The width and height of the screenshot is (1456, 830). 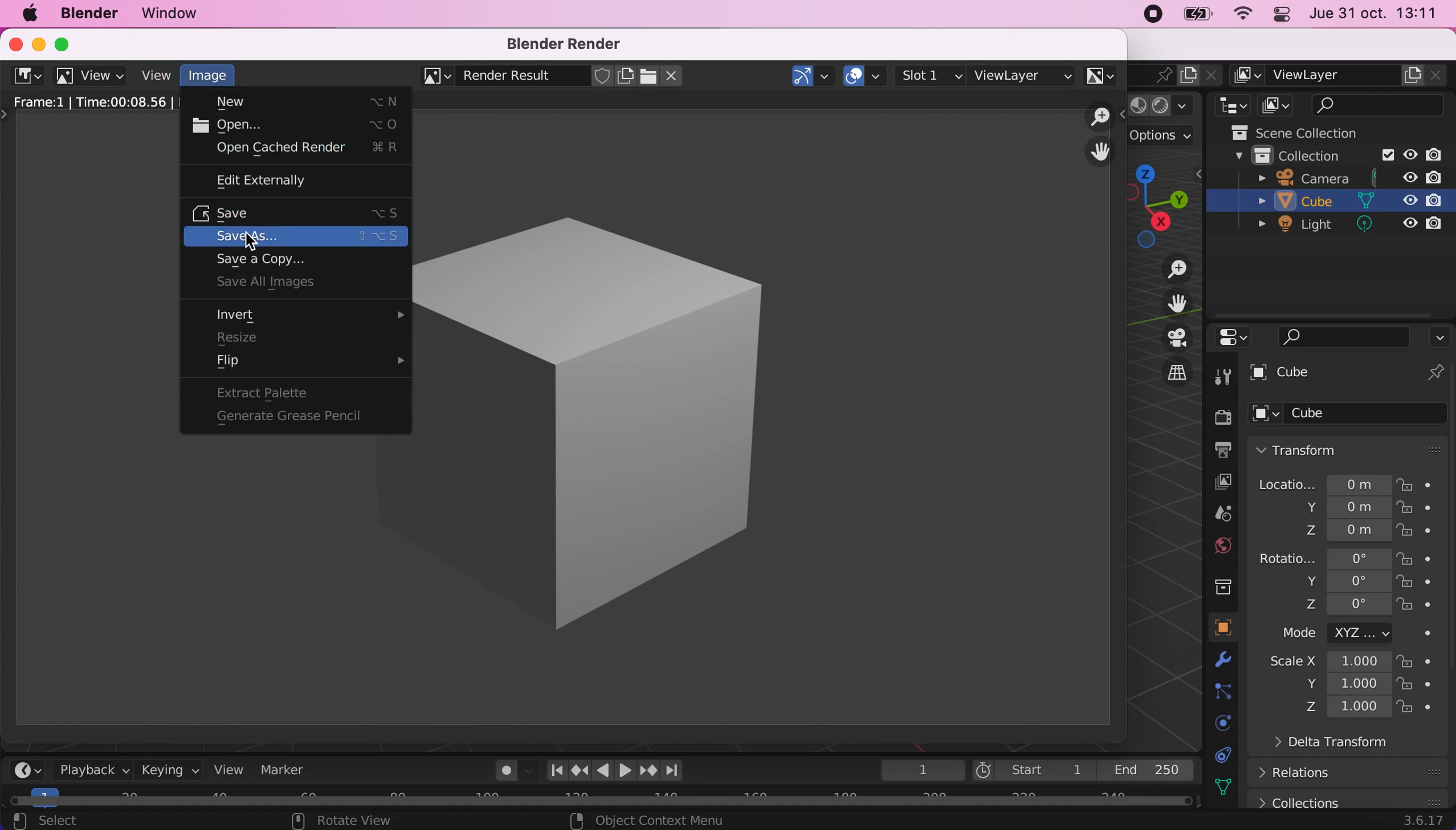 What do you see at coordinates (1222, 546) in the screenshot?
I see `world` at bounding box center [1222, 546].